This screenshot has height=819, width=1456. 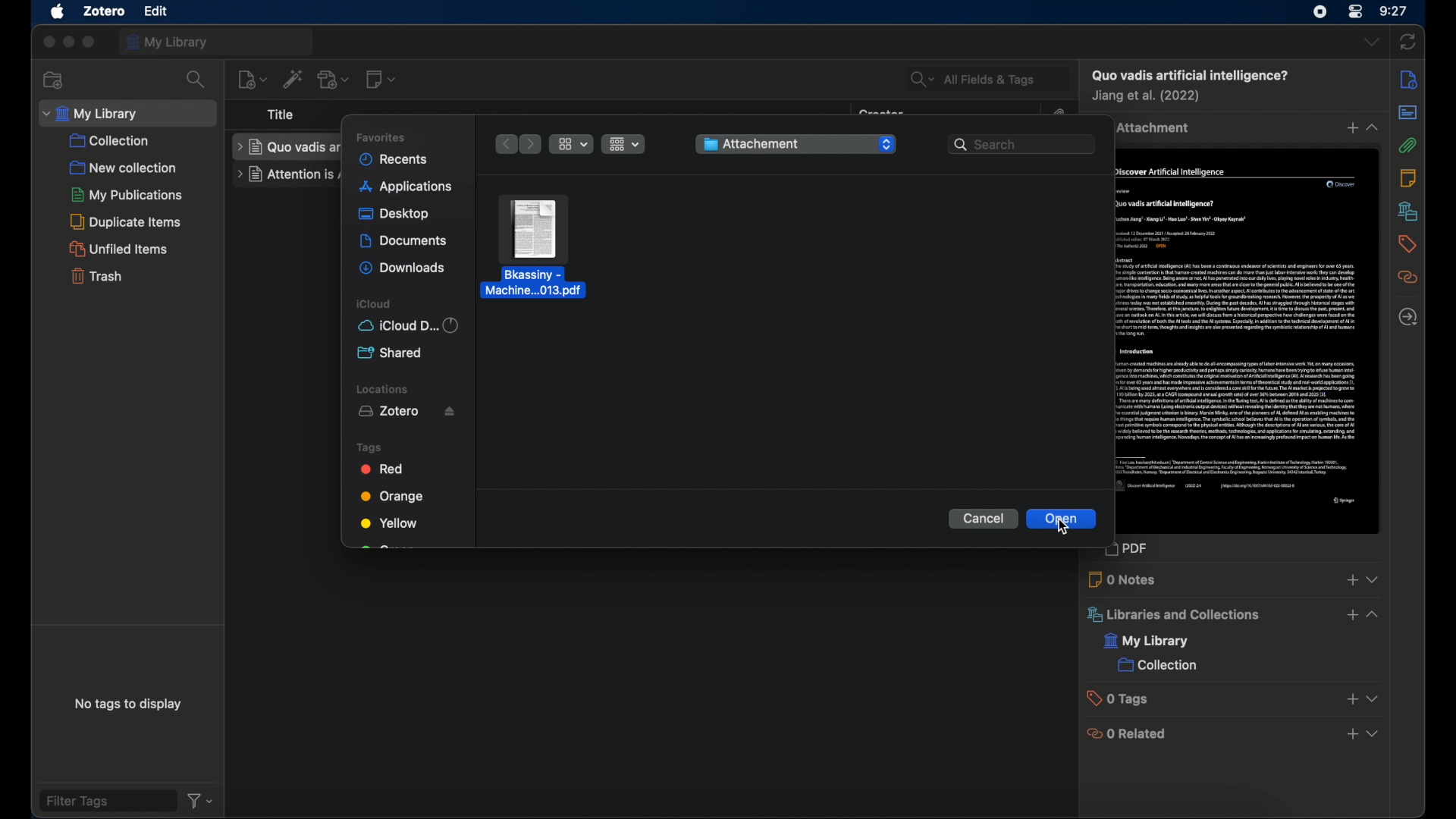 What do you see at coordinates (1249, 343) in the screenshot?
I see `journal item preview` at bounding box center [1249, 343].